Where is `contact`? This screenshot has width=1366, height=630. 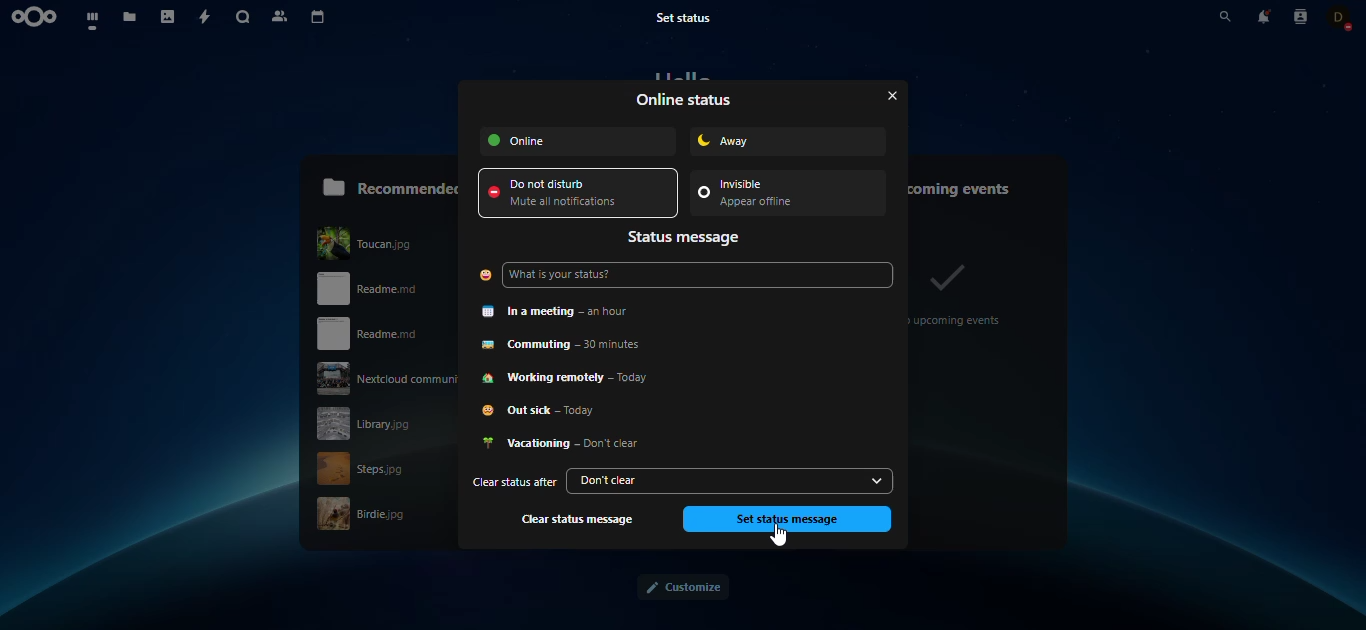 contact is located at coordinates (1341, 16).